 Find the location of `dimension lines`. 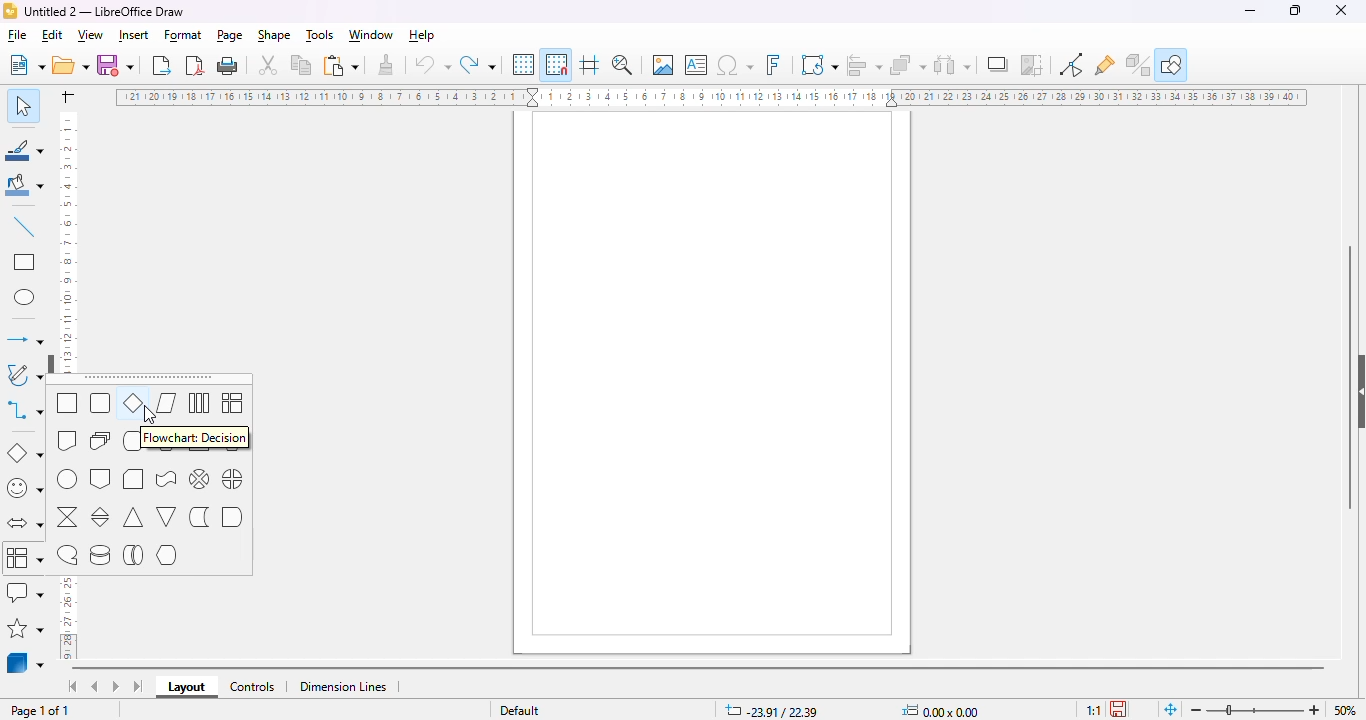

dimension lines is located at coordinates (343, 687).